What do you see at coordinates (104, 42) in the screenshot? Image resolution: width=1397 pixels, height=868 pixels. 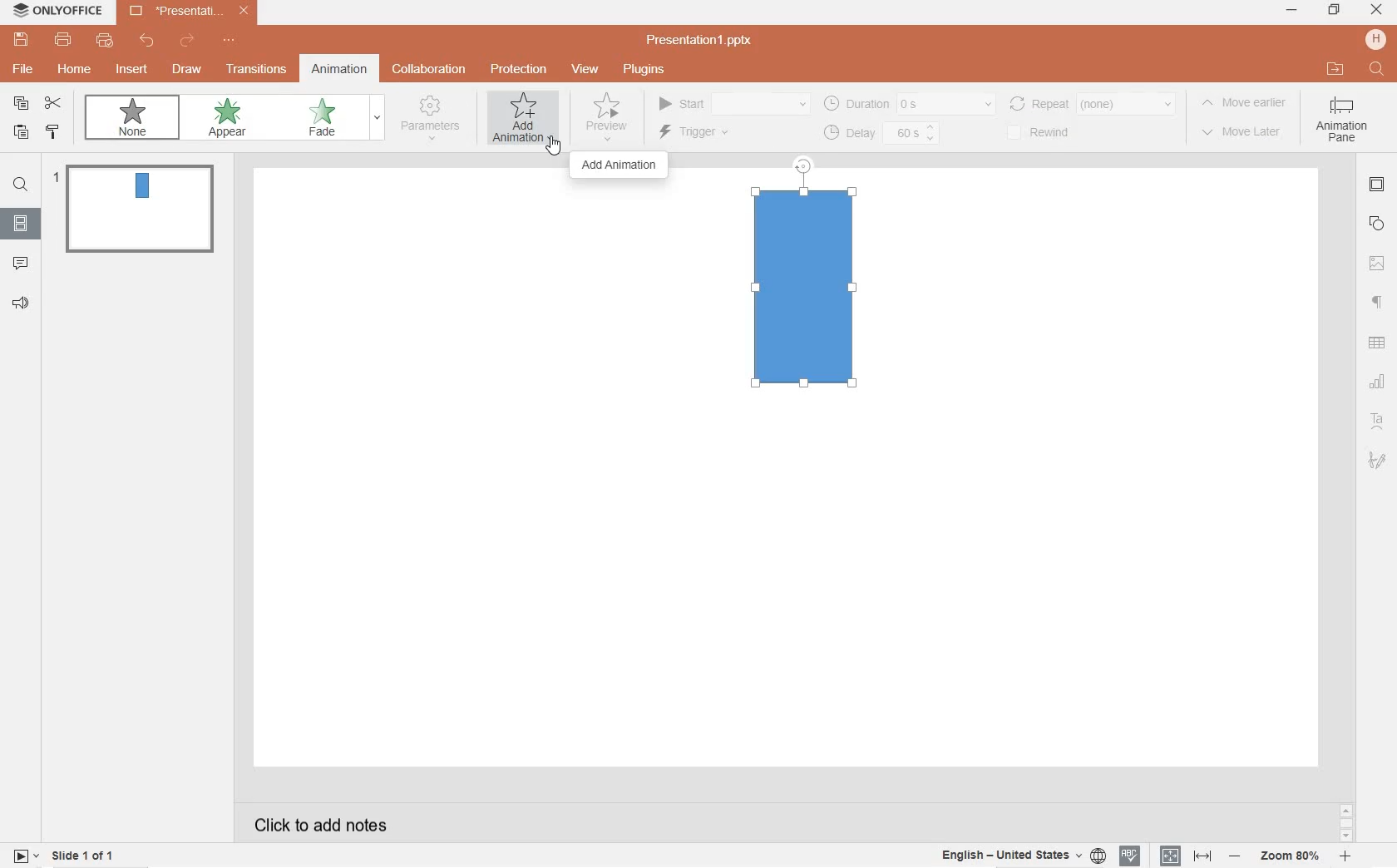 I see `quick print` at bounding box center [104, 42].